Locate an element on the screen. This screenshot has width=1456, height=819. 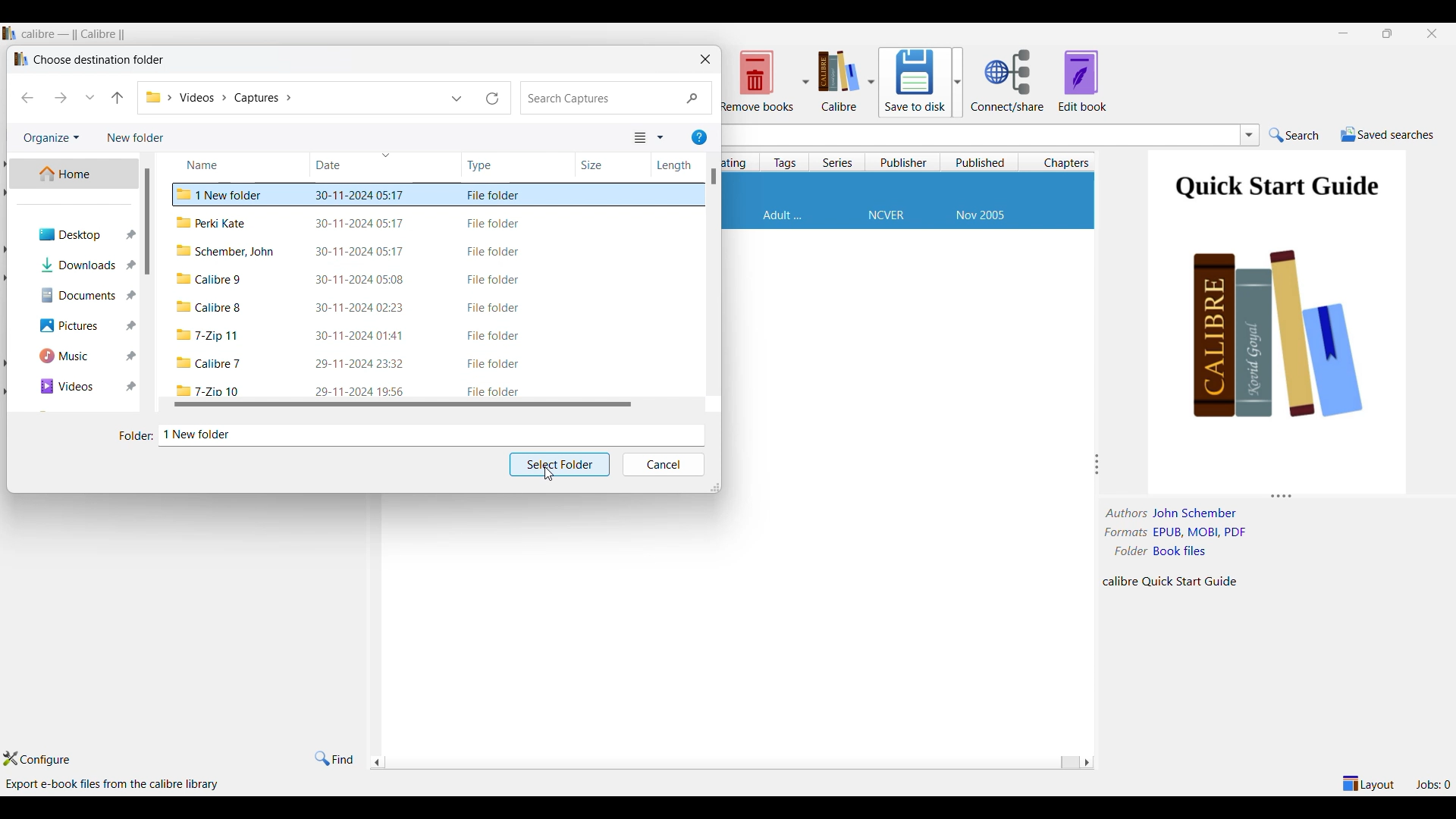
Search is located at coordinates (1294, 135).